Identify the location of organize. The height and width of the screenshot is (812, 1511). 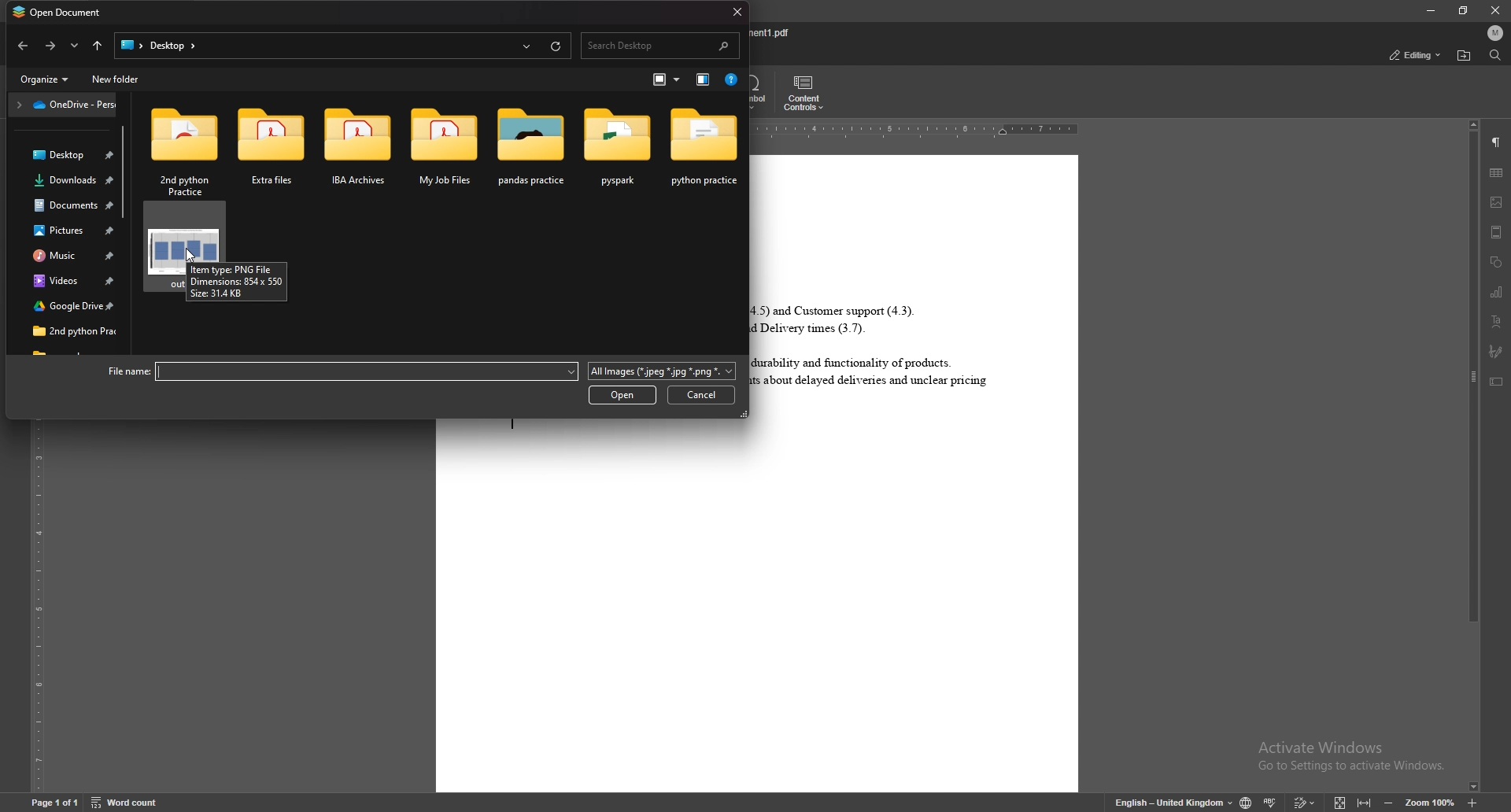
(46, 80).